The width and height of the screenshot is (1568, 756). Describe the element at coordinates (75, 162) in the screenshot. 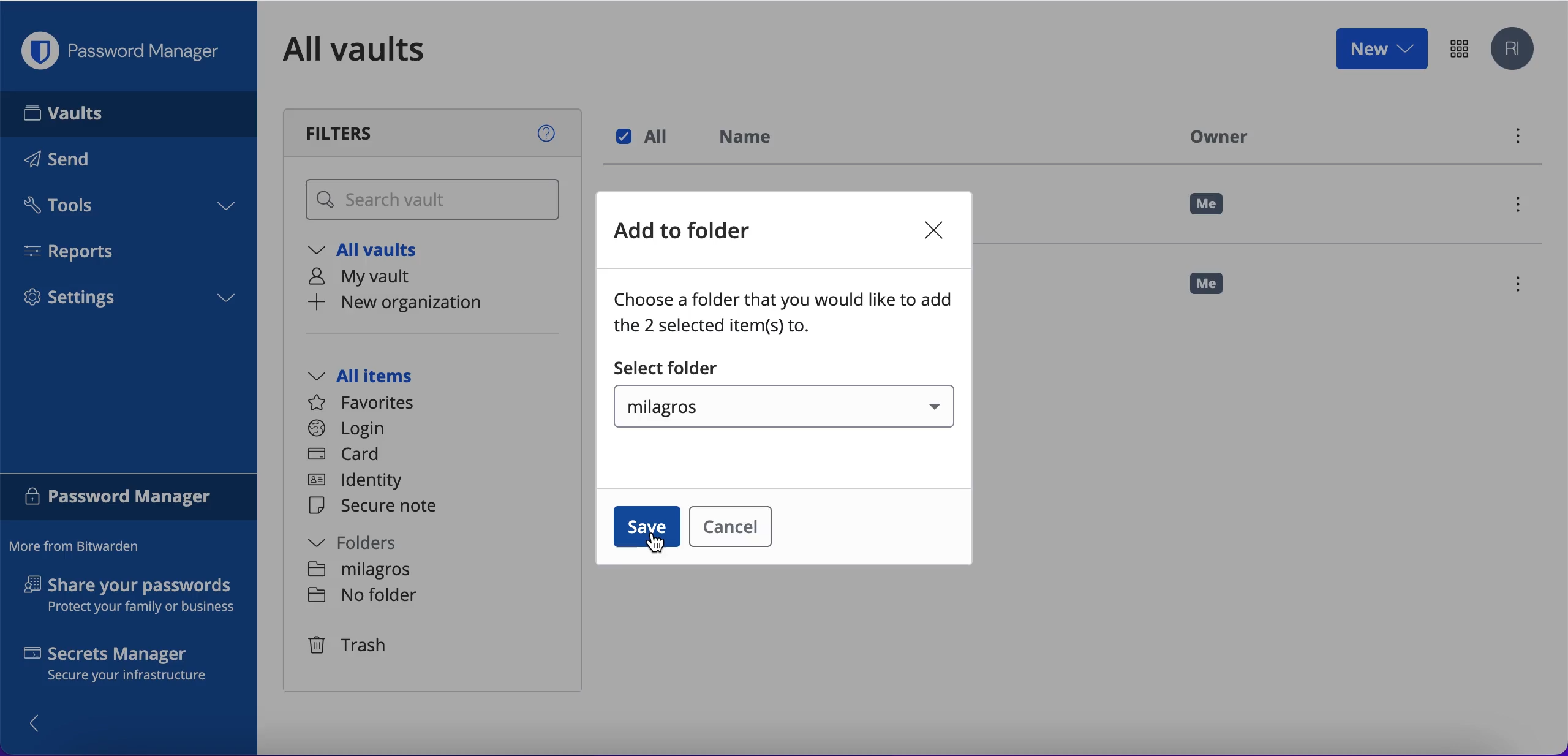

I see `send` at that location.